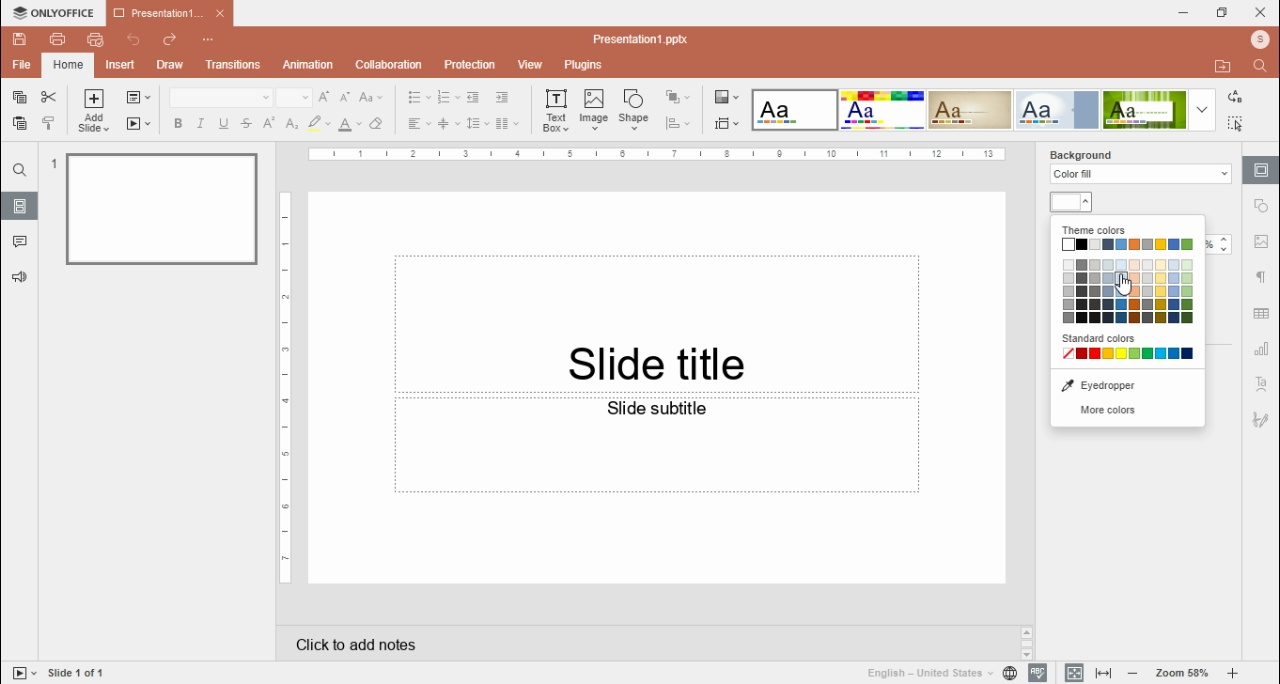 This screenshot has height=684, width=1280. Describe the element at coordinates (507, 124) in the screenshot. I see `insert columns` at that location.